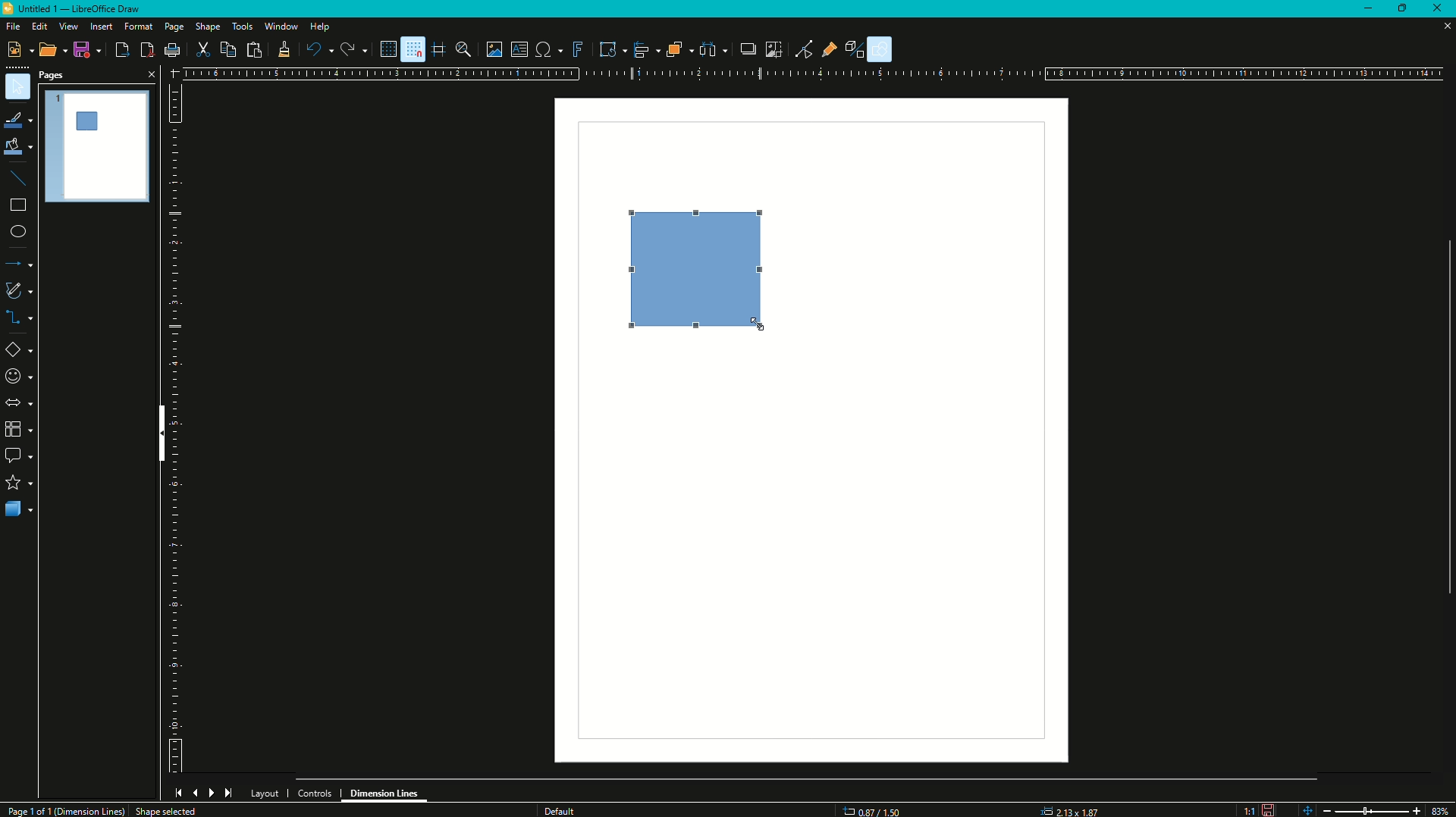 The width and height of the screenshot is (1456, 817). What do you see at coordinates (20, 290) in the screenshot?
I see `Sketch` at bounding box center [20, 290].